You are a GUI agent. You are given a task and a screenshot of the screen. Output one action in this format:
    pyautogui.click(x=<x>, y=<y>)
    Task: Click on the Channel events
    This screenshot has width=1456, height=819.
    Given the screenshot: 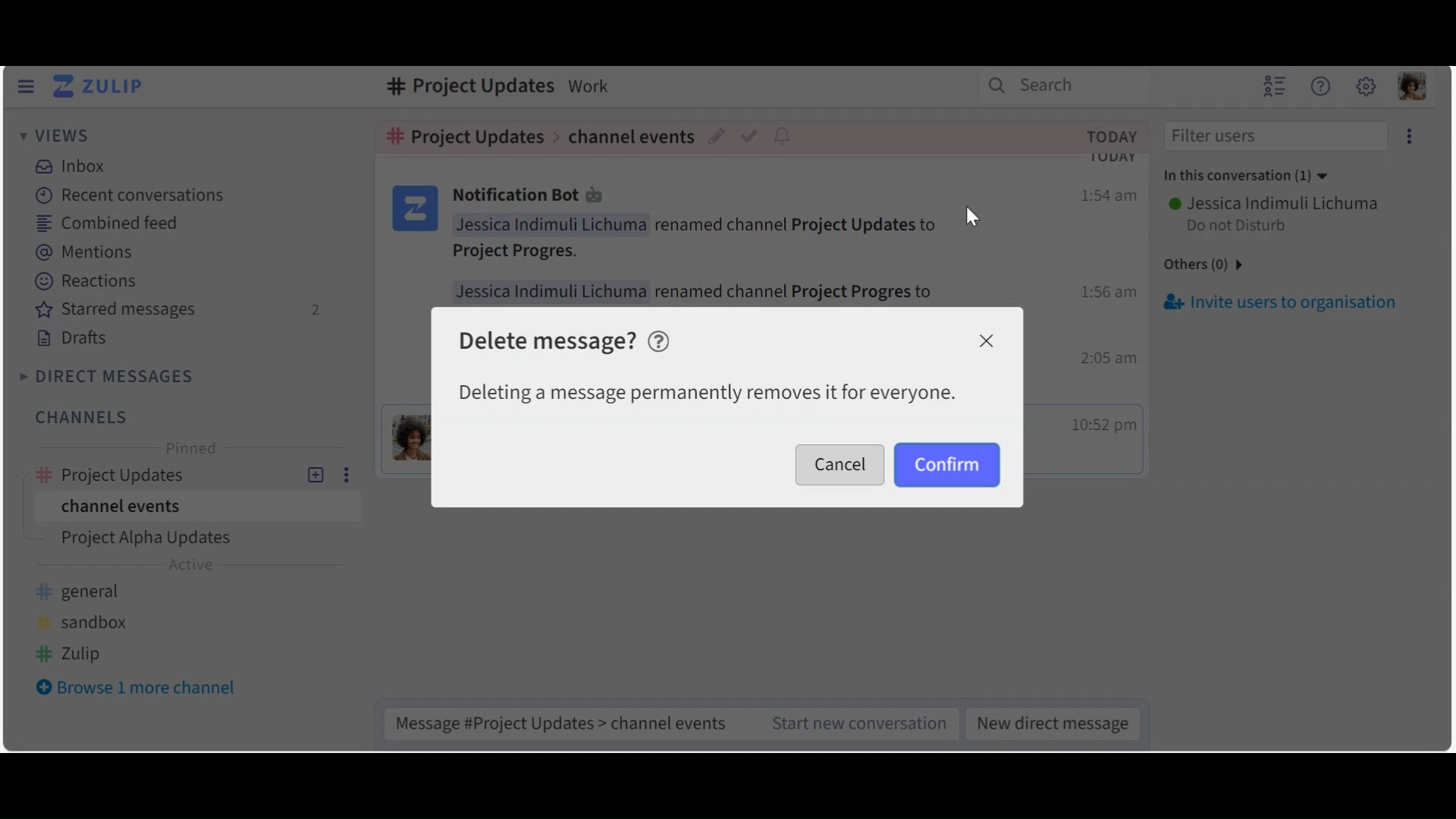 What is the action you would take?
    pyautogui.click(x=193, y=507)
    